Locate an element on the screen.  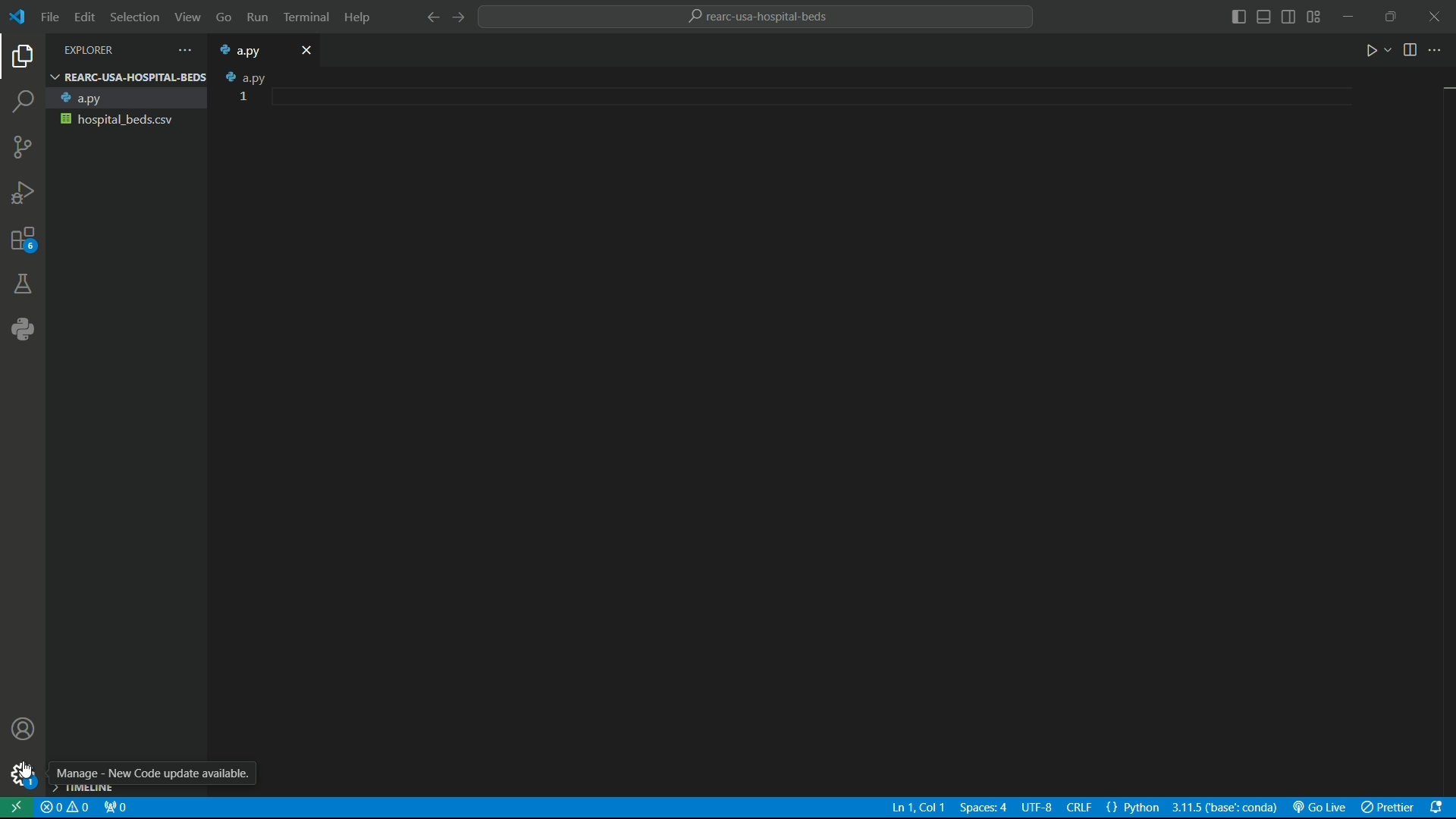
a.py is located at coordinates (124, 99).